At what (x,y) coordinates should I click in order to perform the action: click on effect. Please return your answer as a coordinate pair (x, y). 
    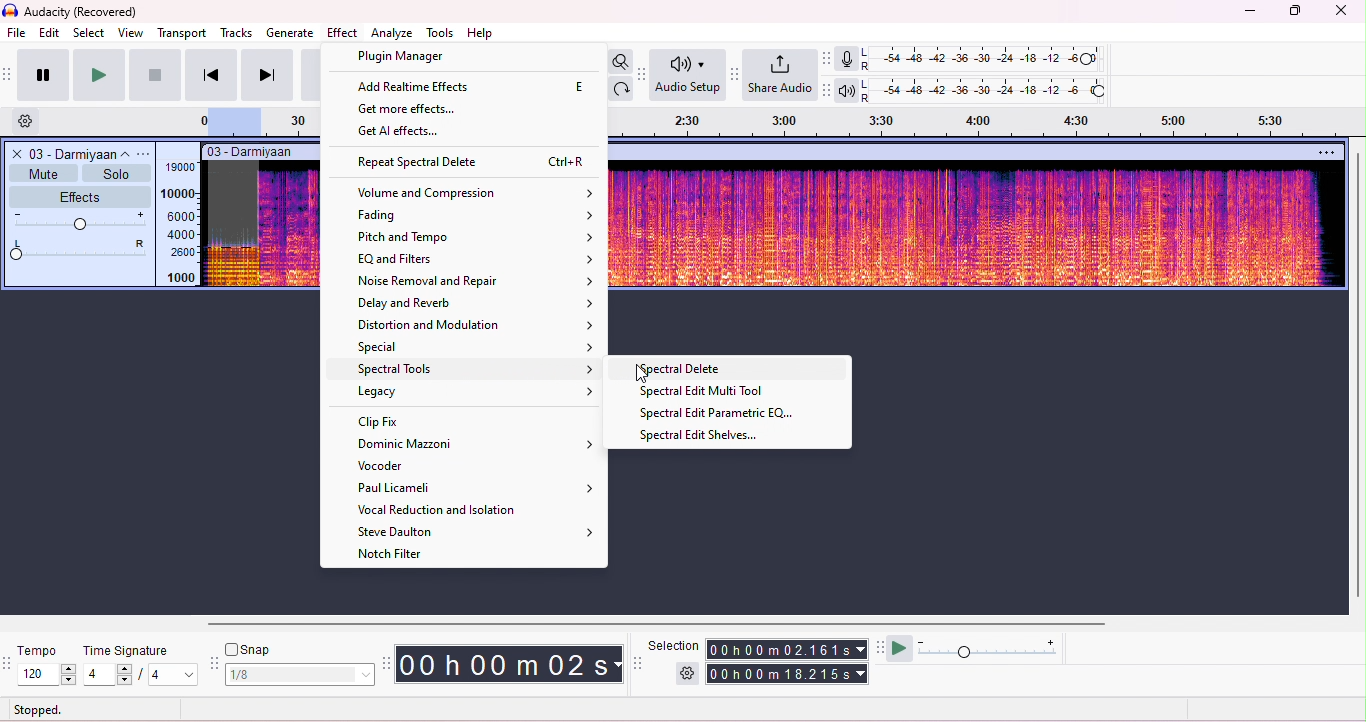
    Looking at the image, I should click on (343, 32).